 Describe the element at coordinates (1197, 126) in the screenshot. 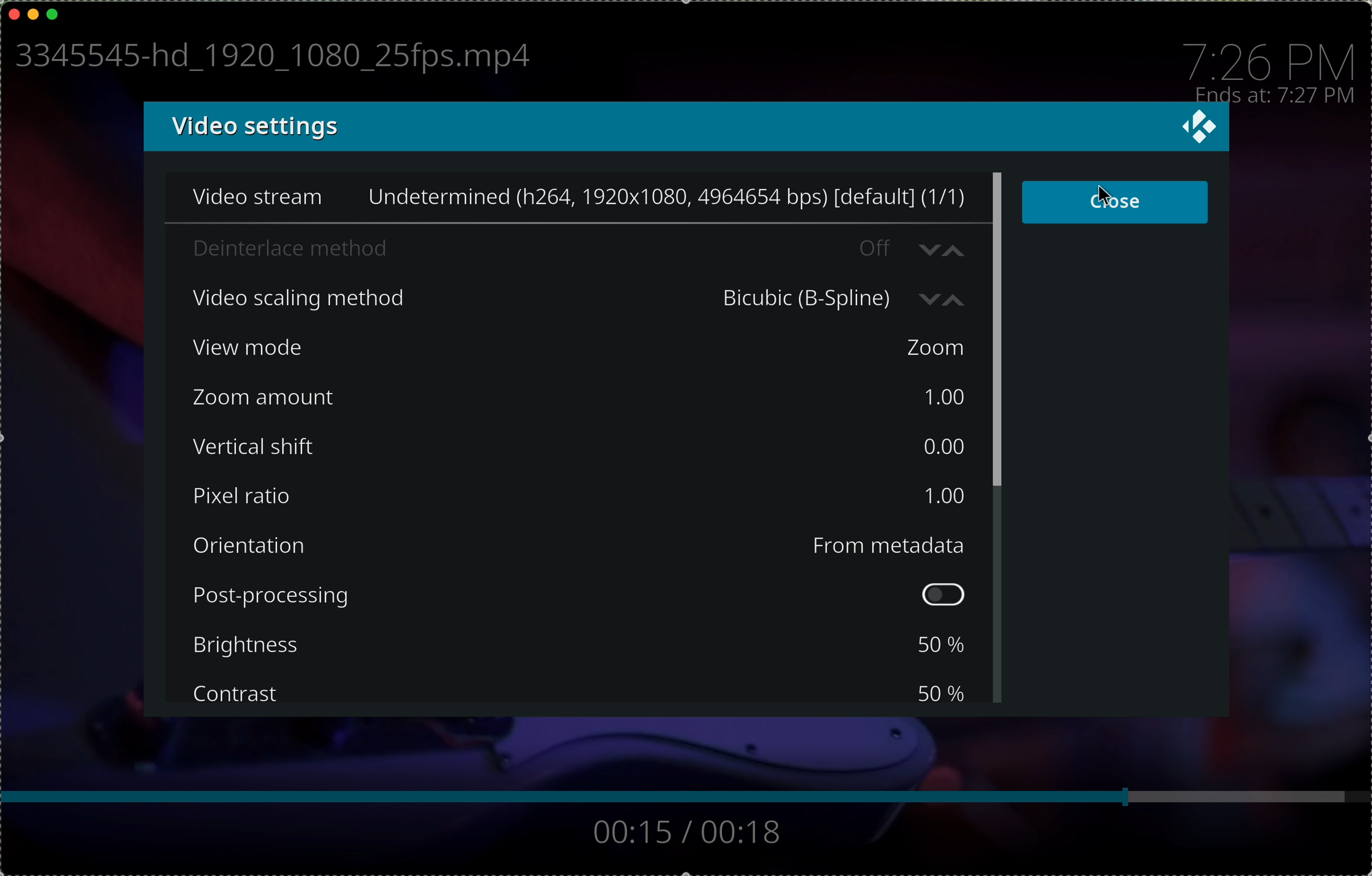

I see `close` at that location.